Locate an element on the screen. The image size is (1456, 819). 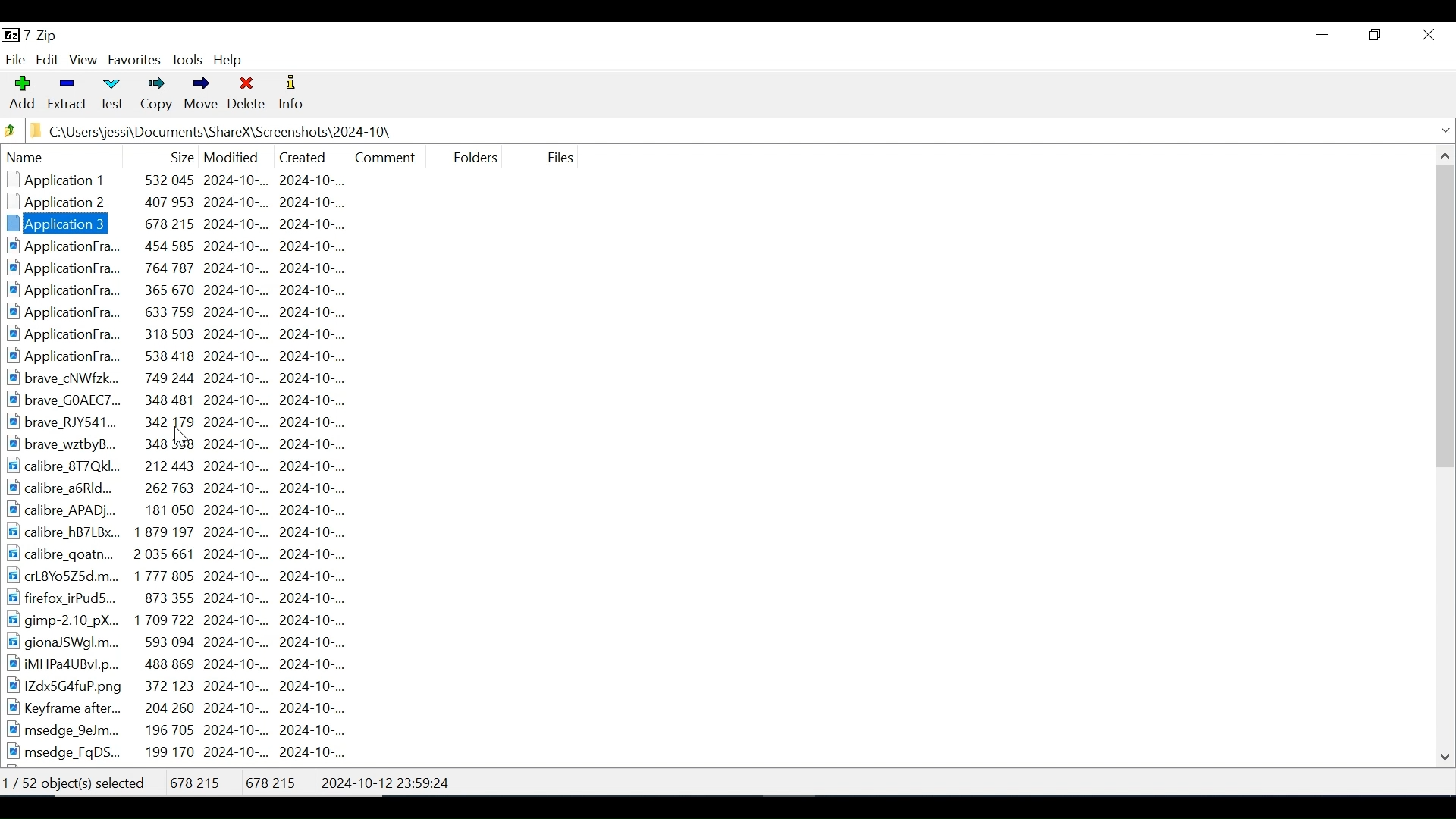
Close is located at coordinates (1427, 35).